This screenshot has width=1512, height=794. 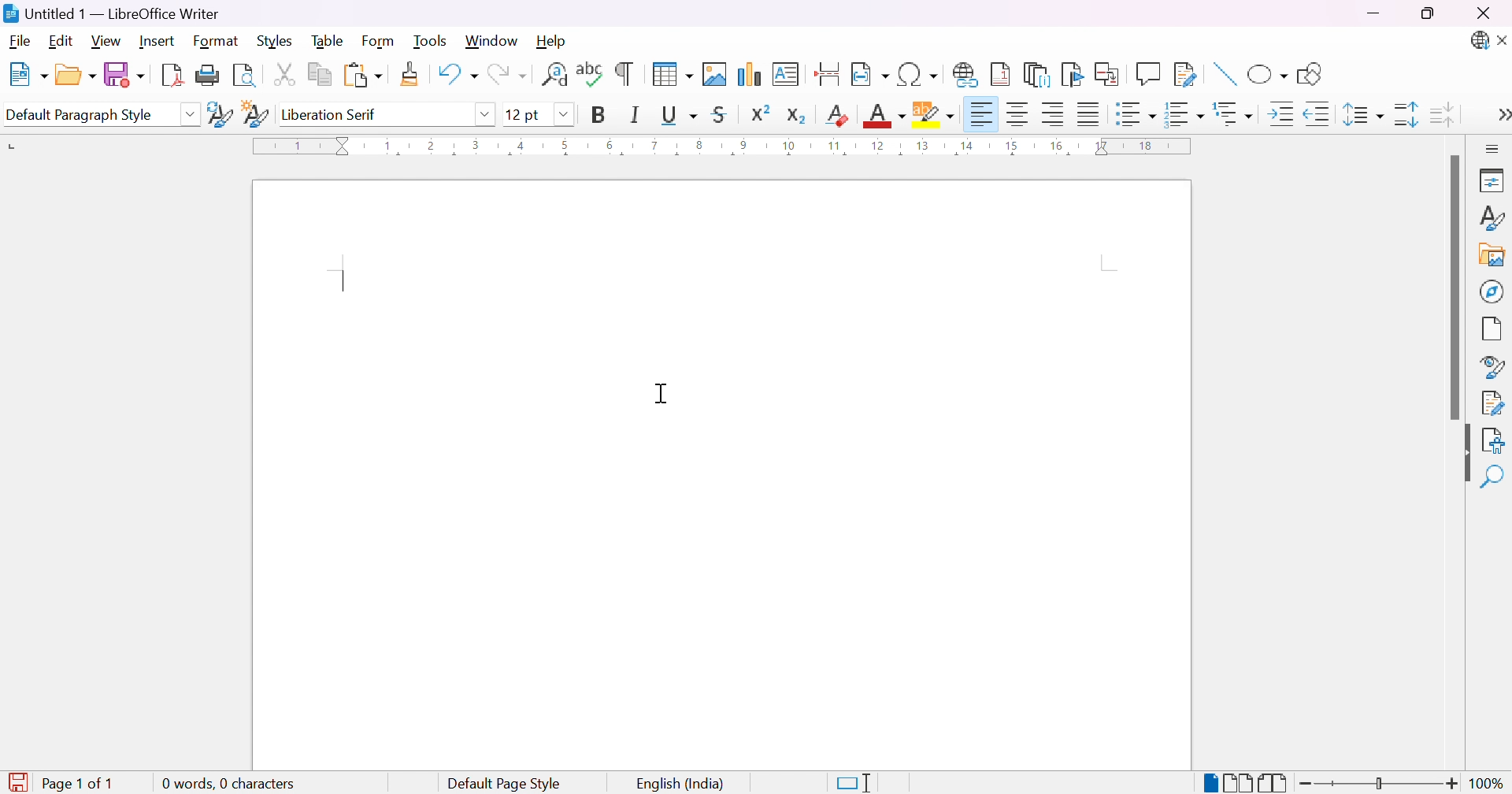 What do you see at coordinates (1267, 77) in the screenshot?
I see `Basic shapes` at bounding box center [1267, 77].